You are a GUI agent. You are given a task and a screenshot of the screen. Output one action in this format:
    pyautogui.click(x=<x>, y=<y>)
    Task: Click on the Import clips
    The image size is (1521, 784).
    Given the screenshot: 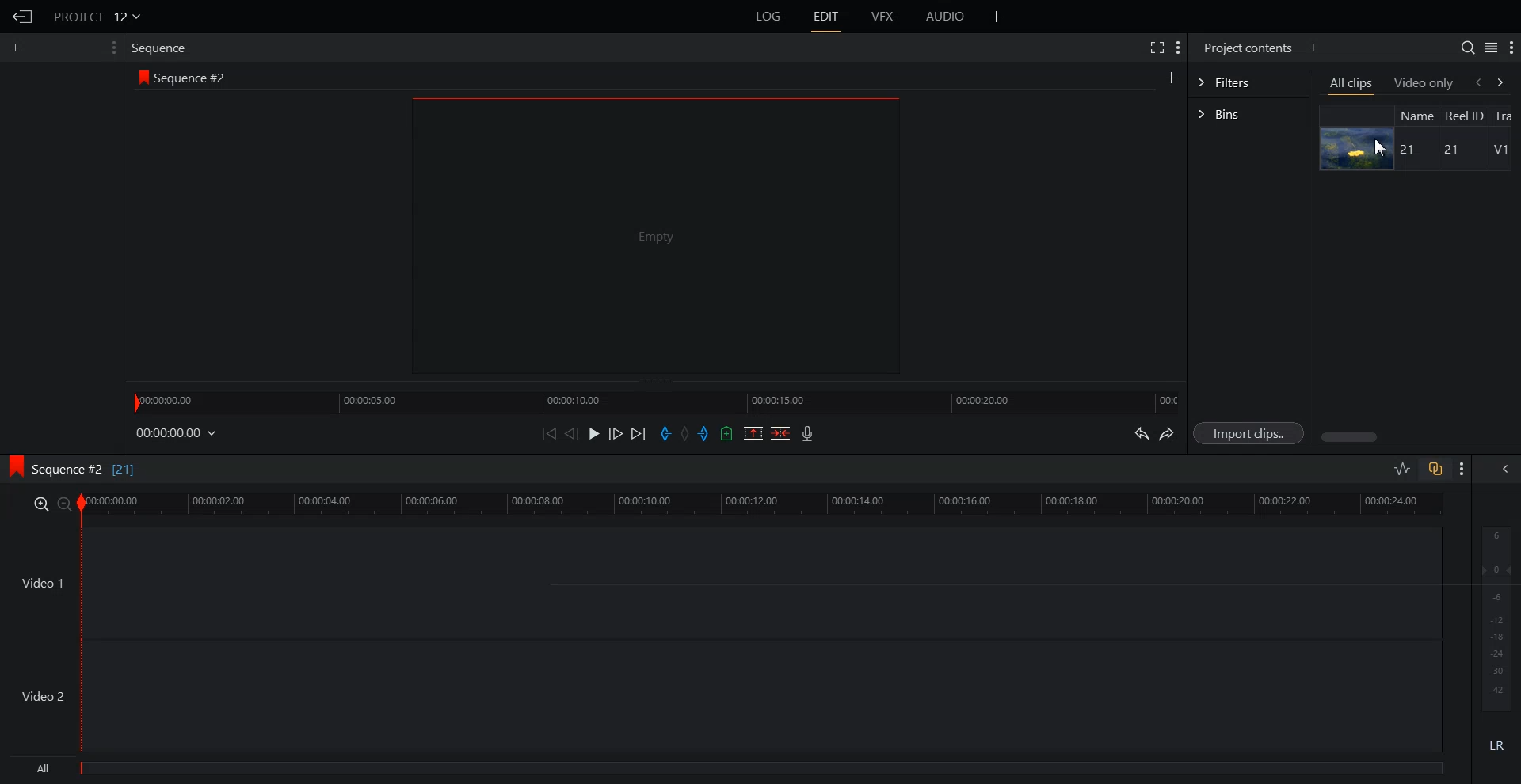 What is the action you would take?
    pyautogui.click(x=1248, y=432)
    